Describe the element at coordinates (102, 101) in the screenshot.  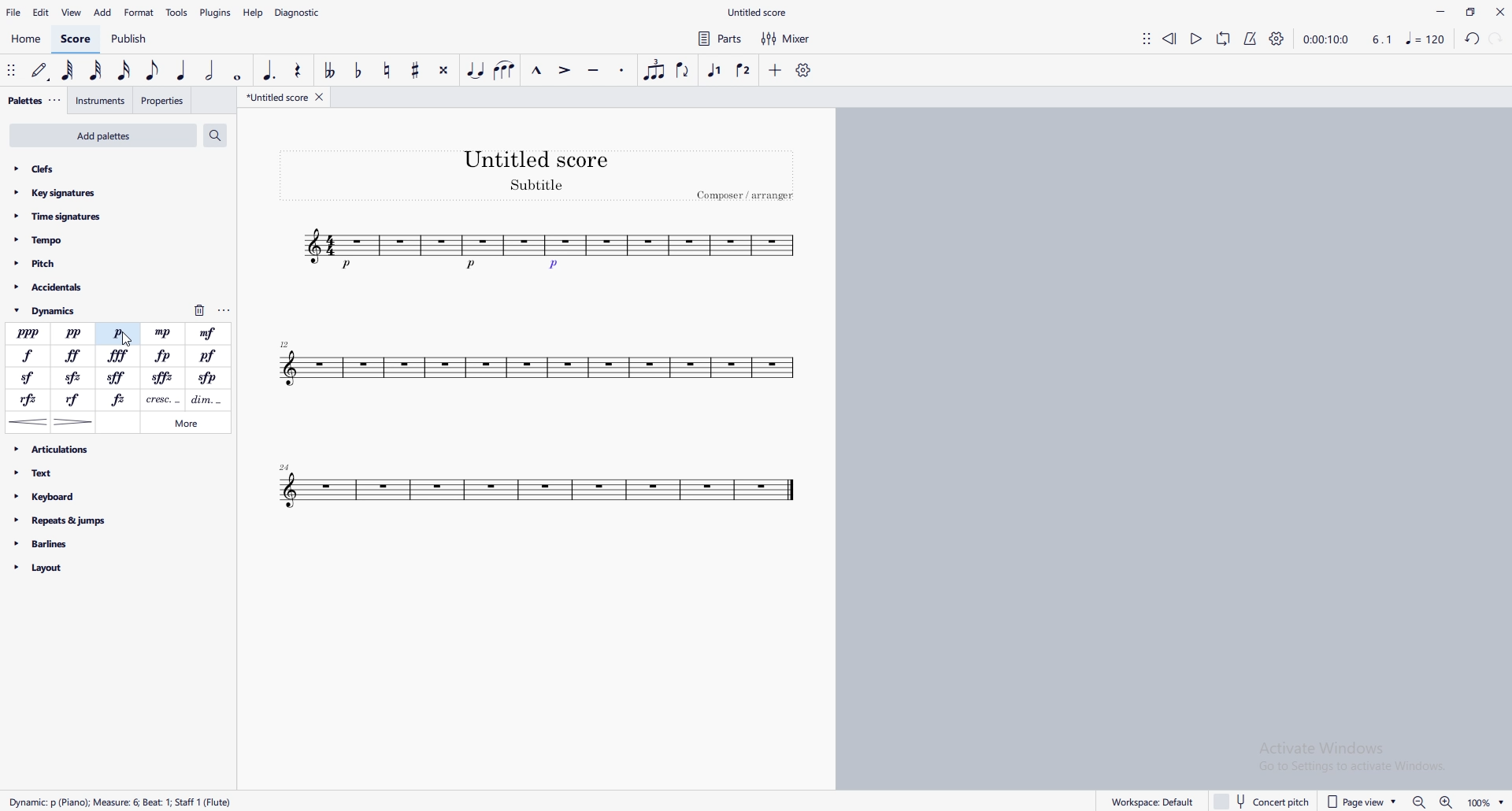
I see `instruments` at that location.